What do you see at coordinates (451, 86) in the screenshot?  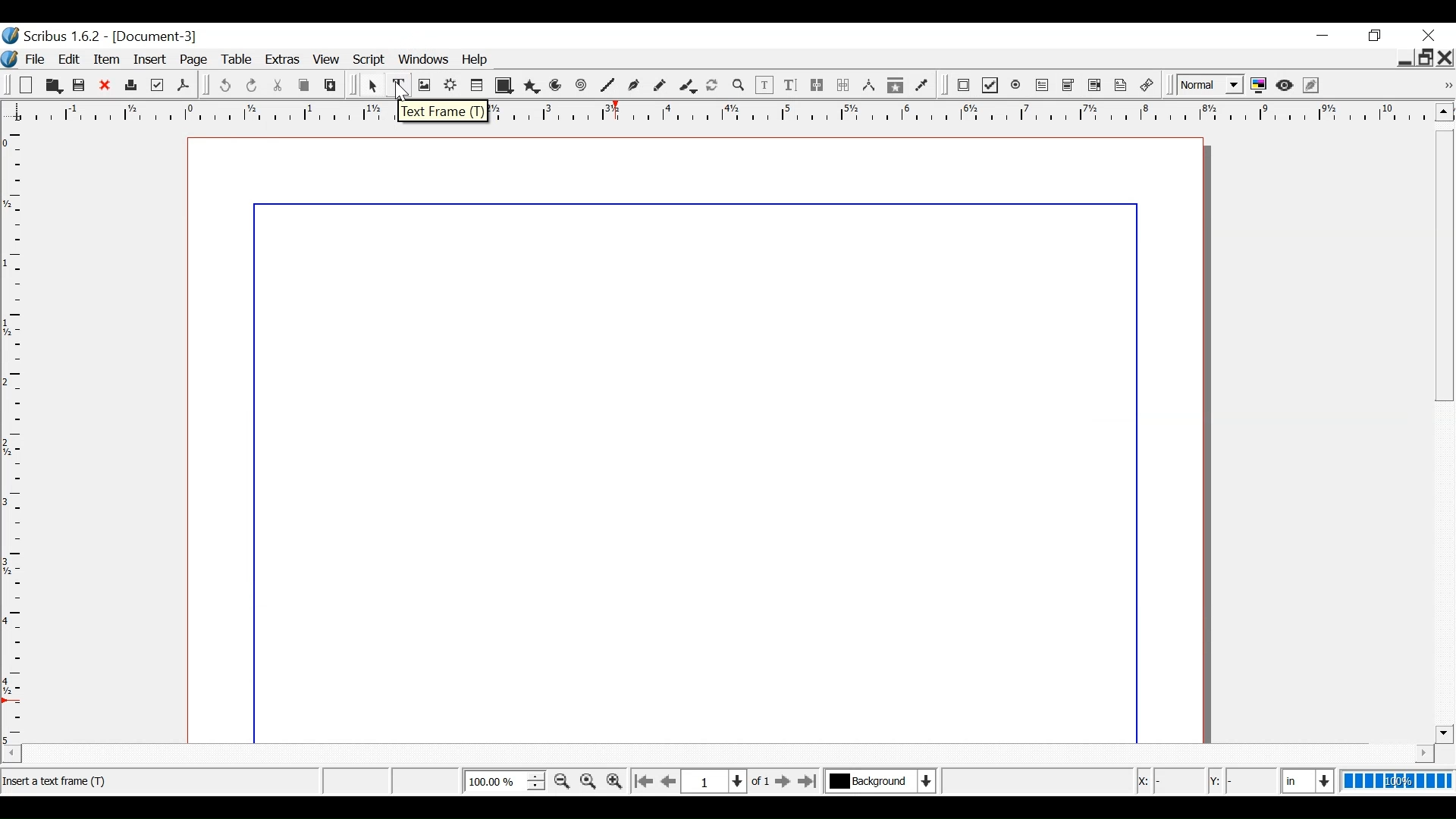 I see `Render frame` at bounding box center [451, 86].